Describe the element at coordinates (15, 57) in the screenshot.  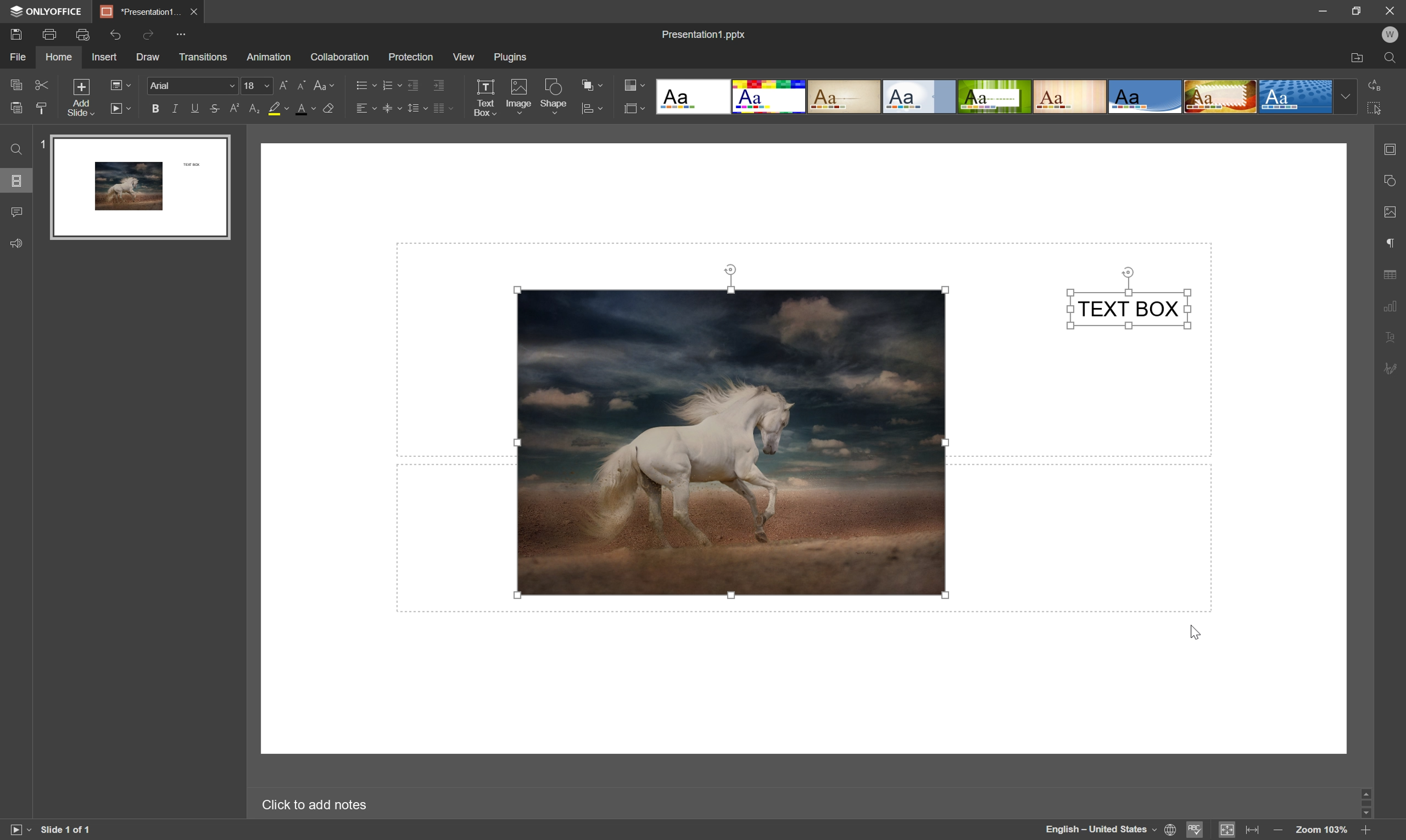
I see `file` at that location.